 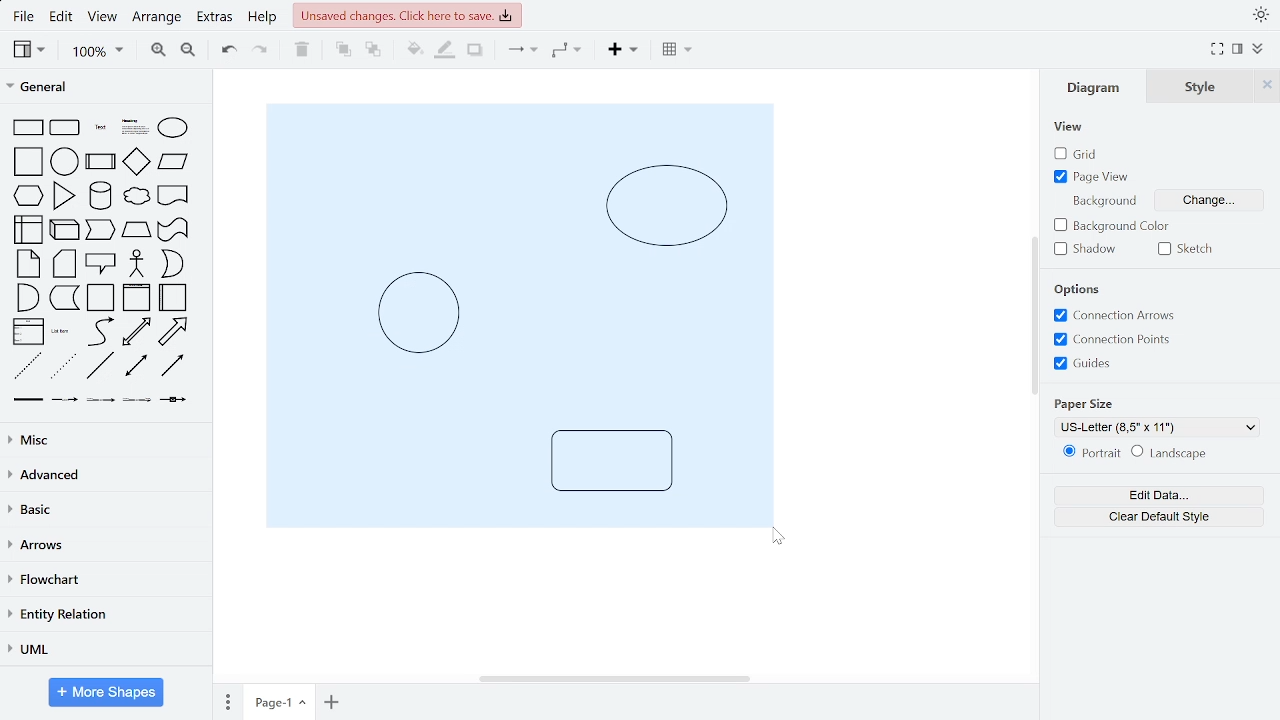 I want to click on background, so click(x=1082, y=289).